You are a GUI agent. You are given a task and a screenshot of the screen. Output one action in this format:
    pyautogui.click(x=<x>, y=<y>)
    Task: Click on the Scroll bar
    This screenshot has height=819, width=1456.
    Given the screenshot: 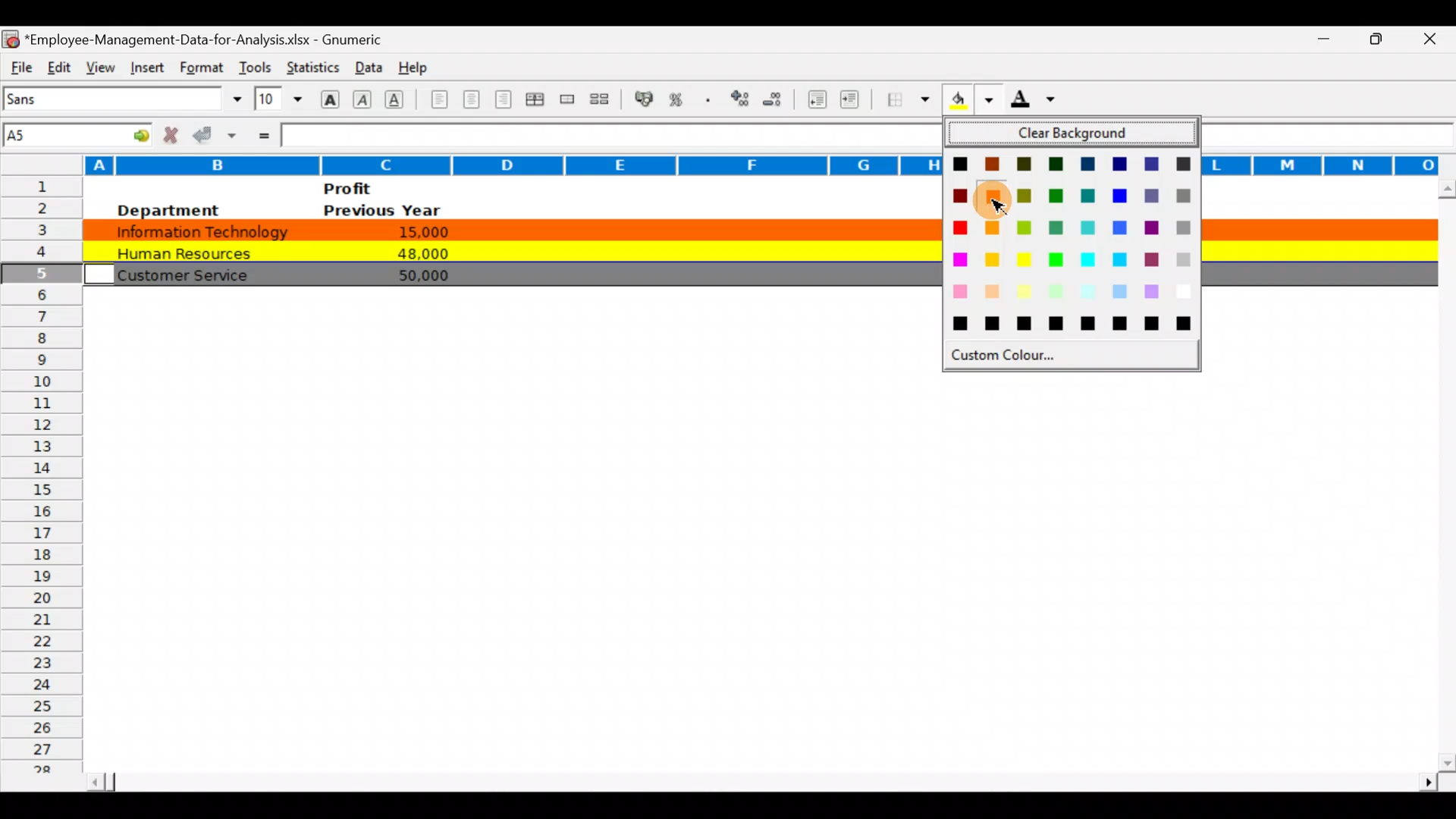 What is the action you would take?
    pyautogui.click(x=759, y=777)
    